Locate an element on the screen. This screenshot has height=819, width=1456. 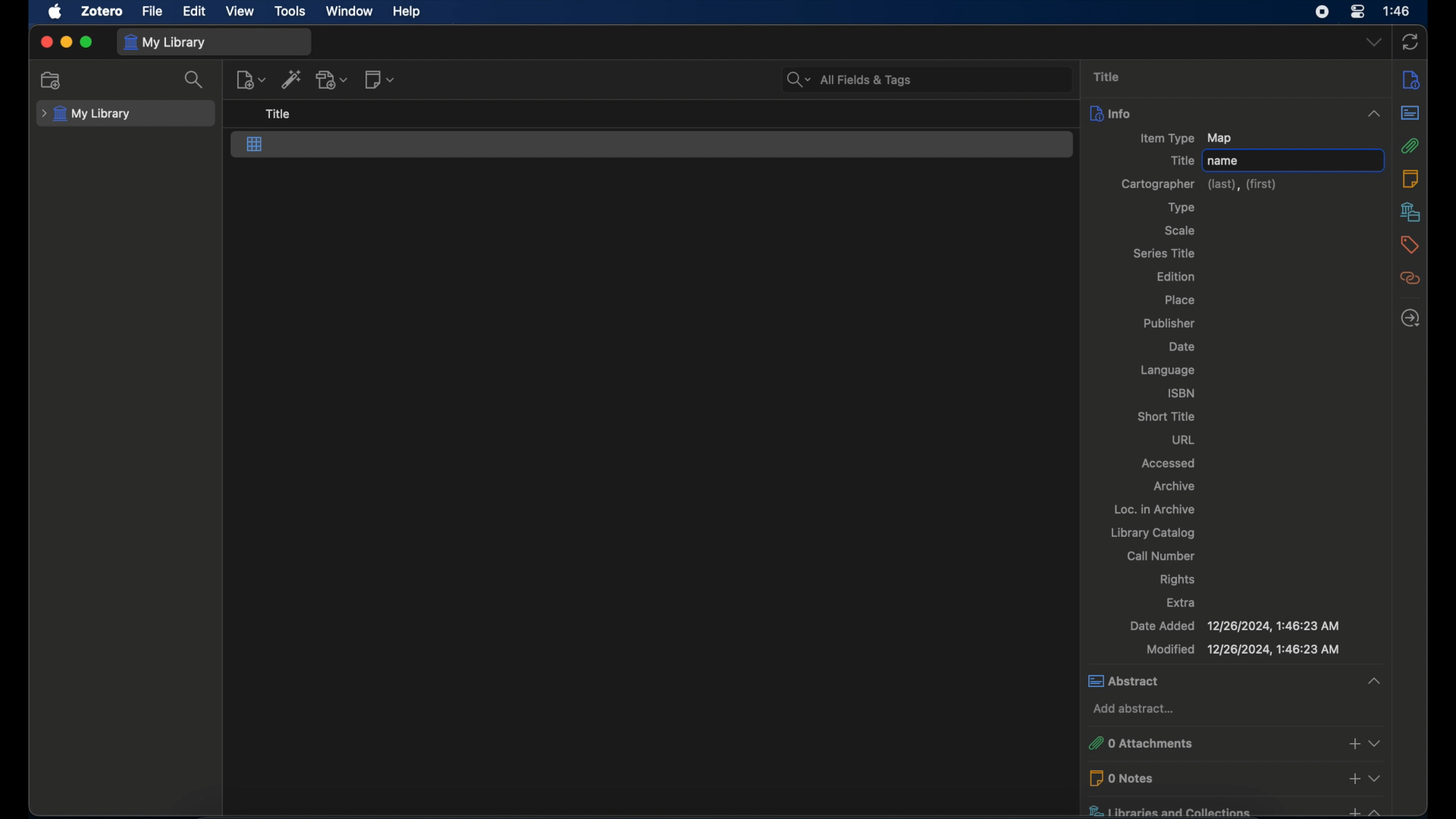
info is located at coordinates (1219, 114).